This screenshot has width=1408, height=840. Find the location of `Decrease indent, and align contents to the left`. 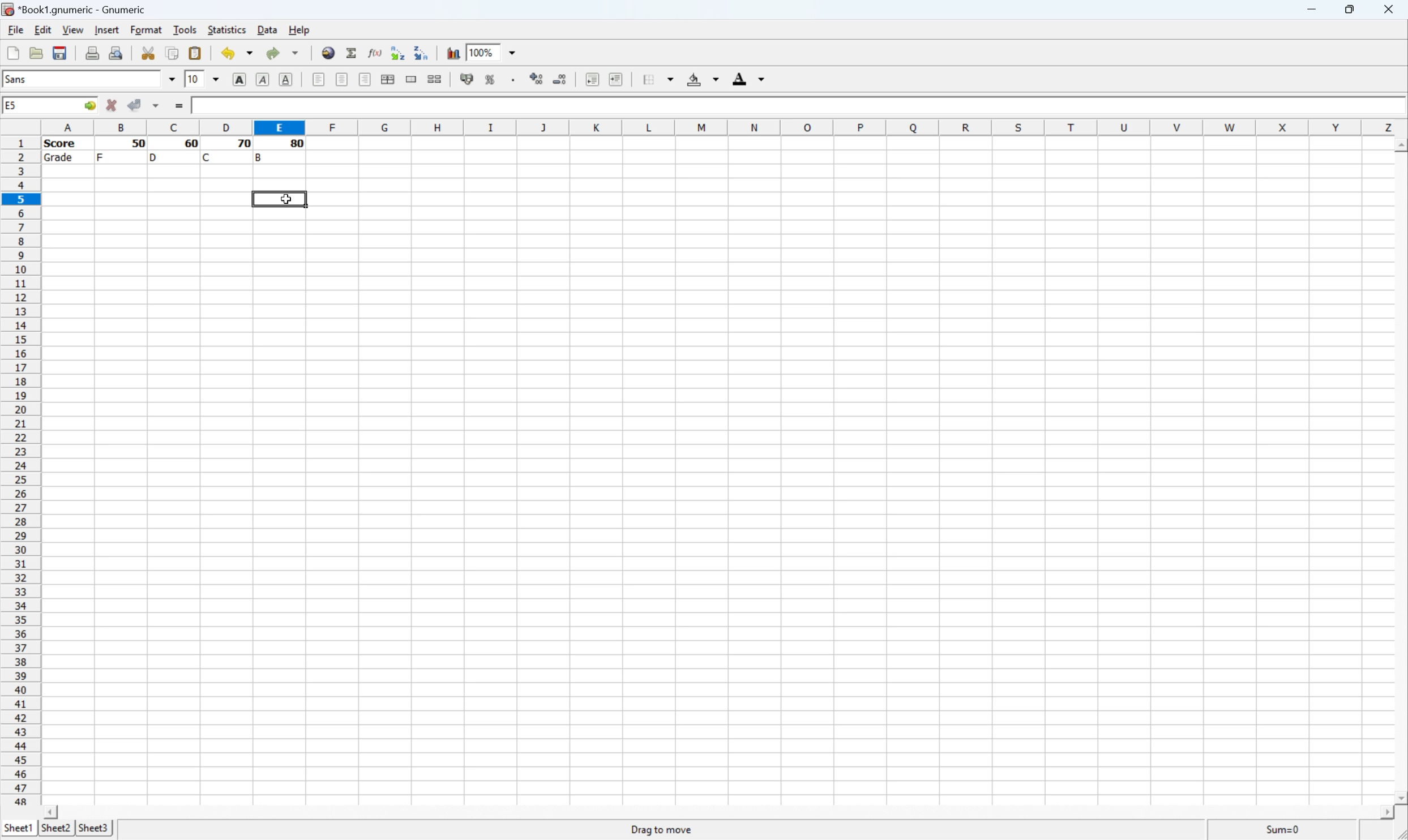

Decrease indent, and align contents to the left is located at coordinates (589, 80).